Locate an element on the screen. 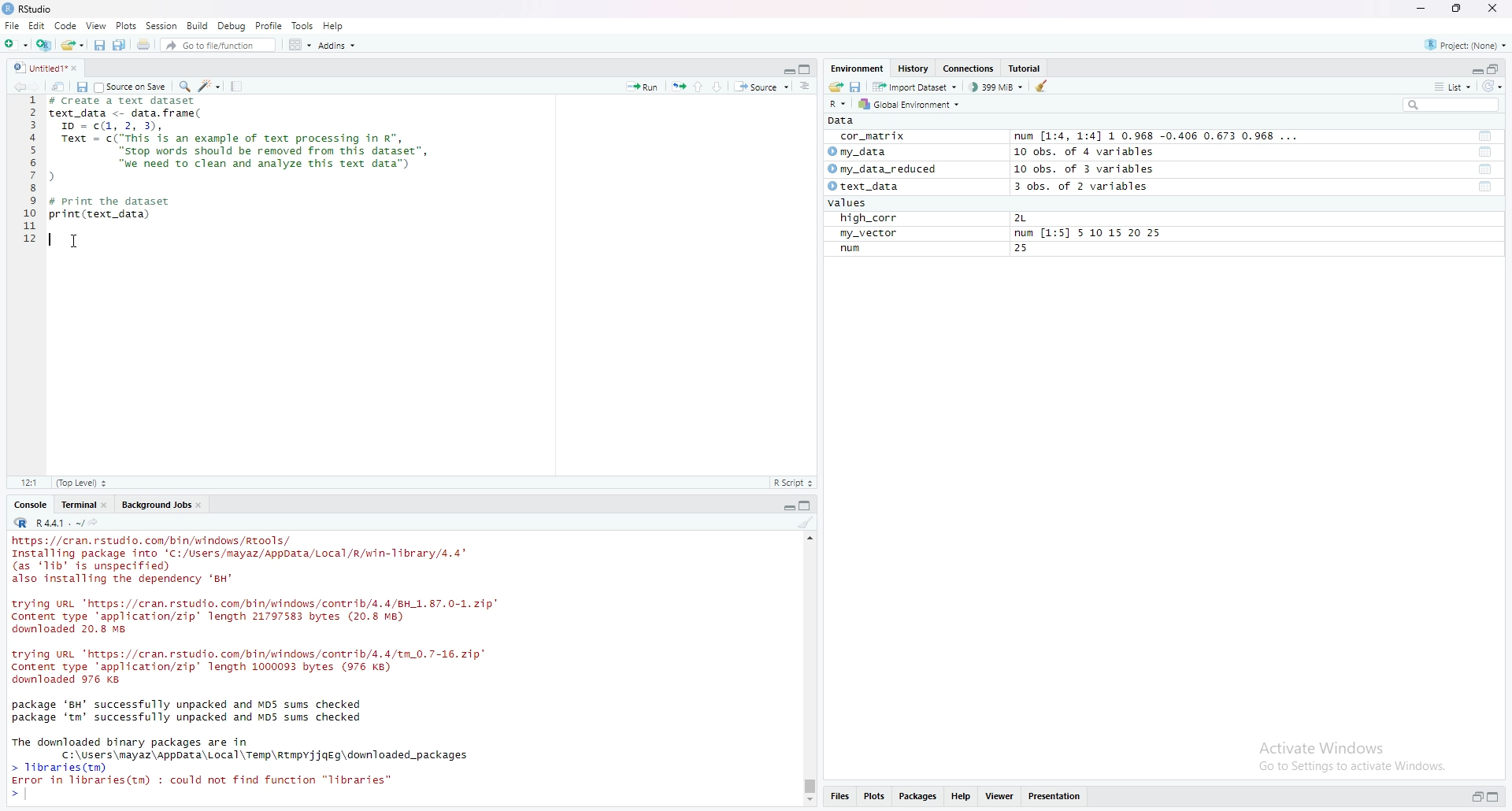 This screenshot has height=811, width=1512. build is located at coordinates (198, 26).